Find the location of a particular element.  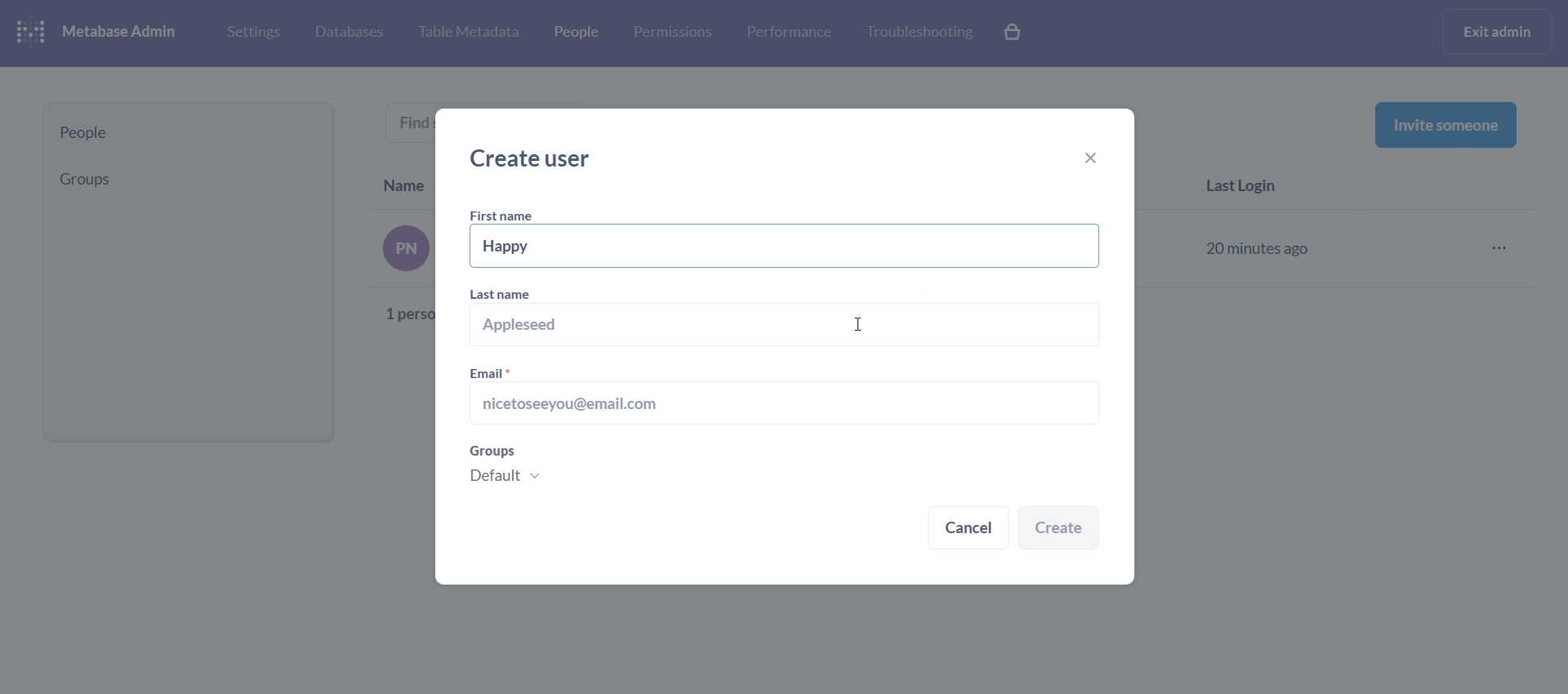

more is located at coordinates (1504, 249).